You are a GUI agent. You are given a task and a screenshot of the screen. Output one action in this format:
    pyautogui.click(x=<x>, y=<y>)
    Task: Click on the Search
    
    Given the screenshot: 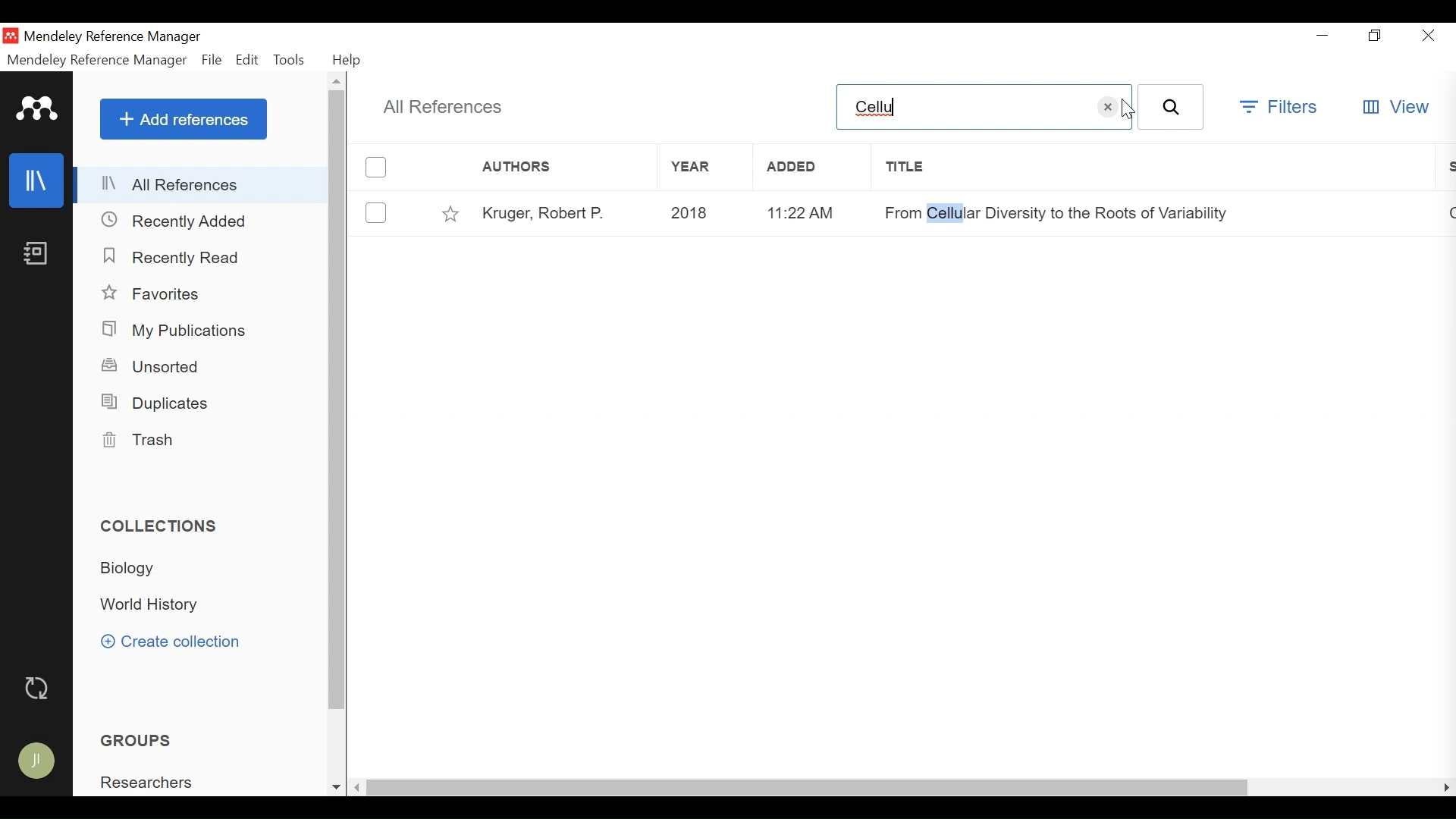 What is the action you would take?
    pyautogui.click(x=1171, y=106)
    